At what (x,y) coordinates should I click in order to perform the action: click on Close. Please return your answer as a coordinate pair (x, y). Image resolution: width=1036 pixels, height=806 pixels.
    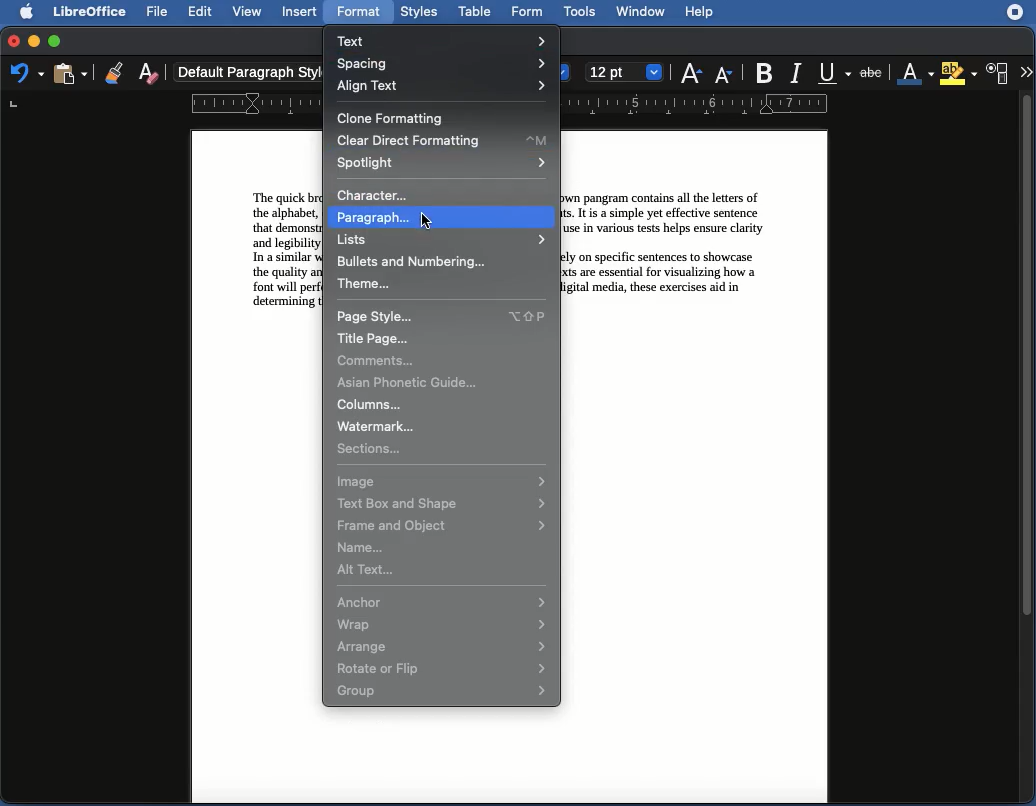
    Looking at the image, I should click on (12, 39).